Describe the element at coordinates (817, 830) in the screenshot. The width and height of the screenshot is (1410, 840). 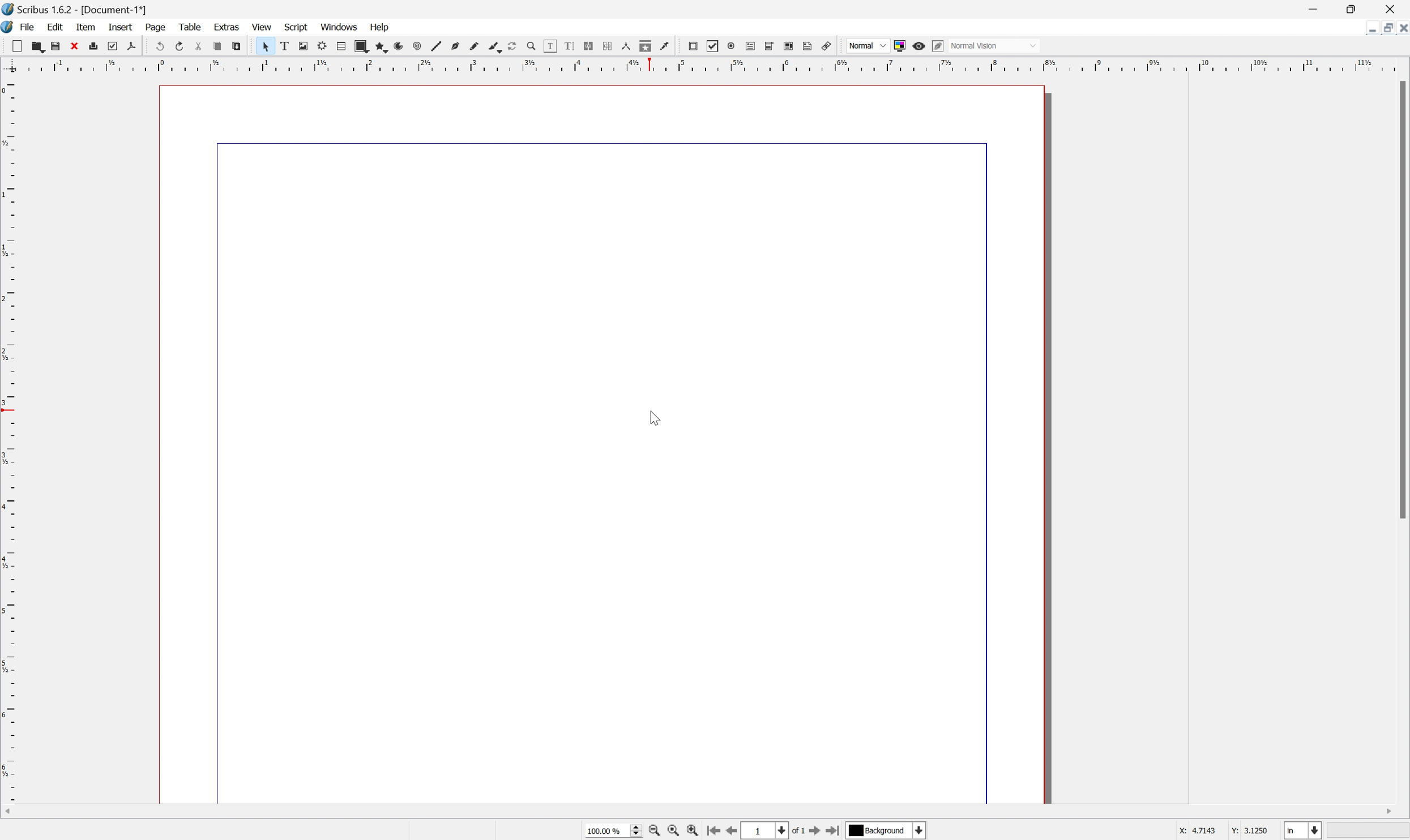
I see `Go to next page` at that location.